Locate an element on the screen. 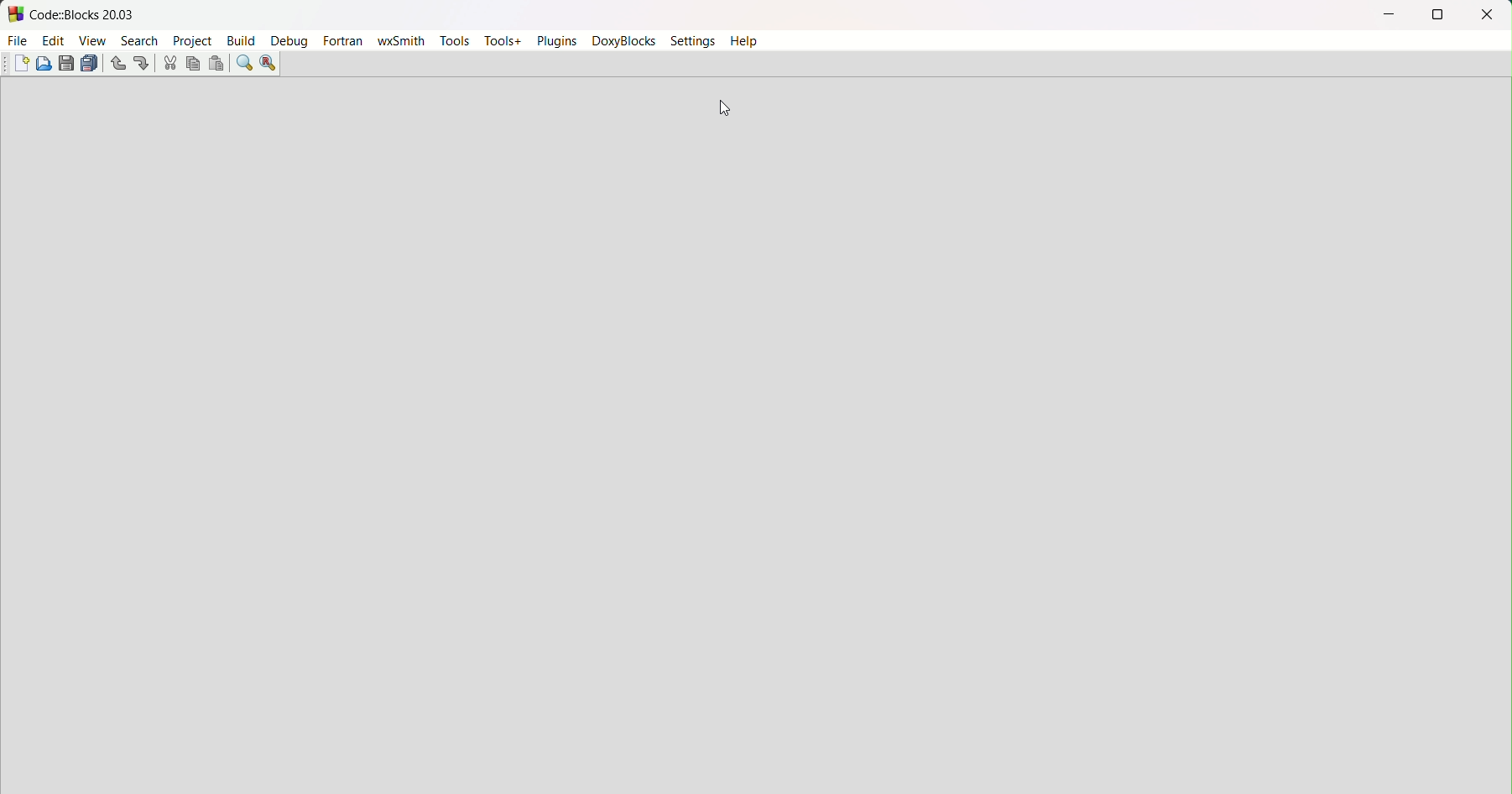 This screenshot has height=794, width=1512. fortran is located at coordinates (343, 42).